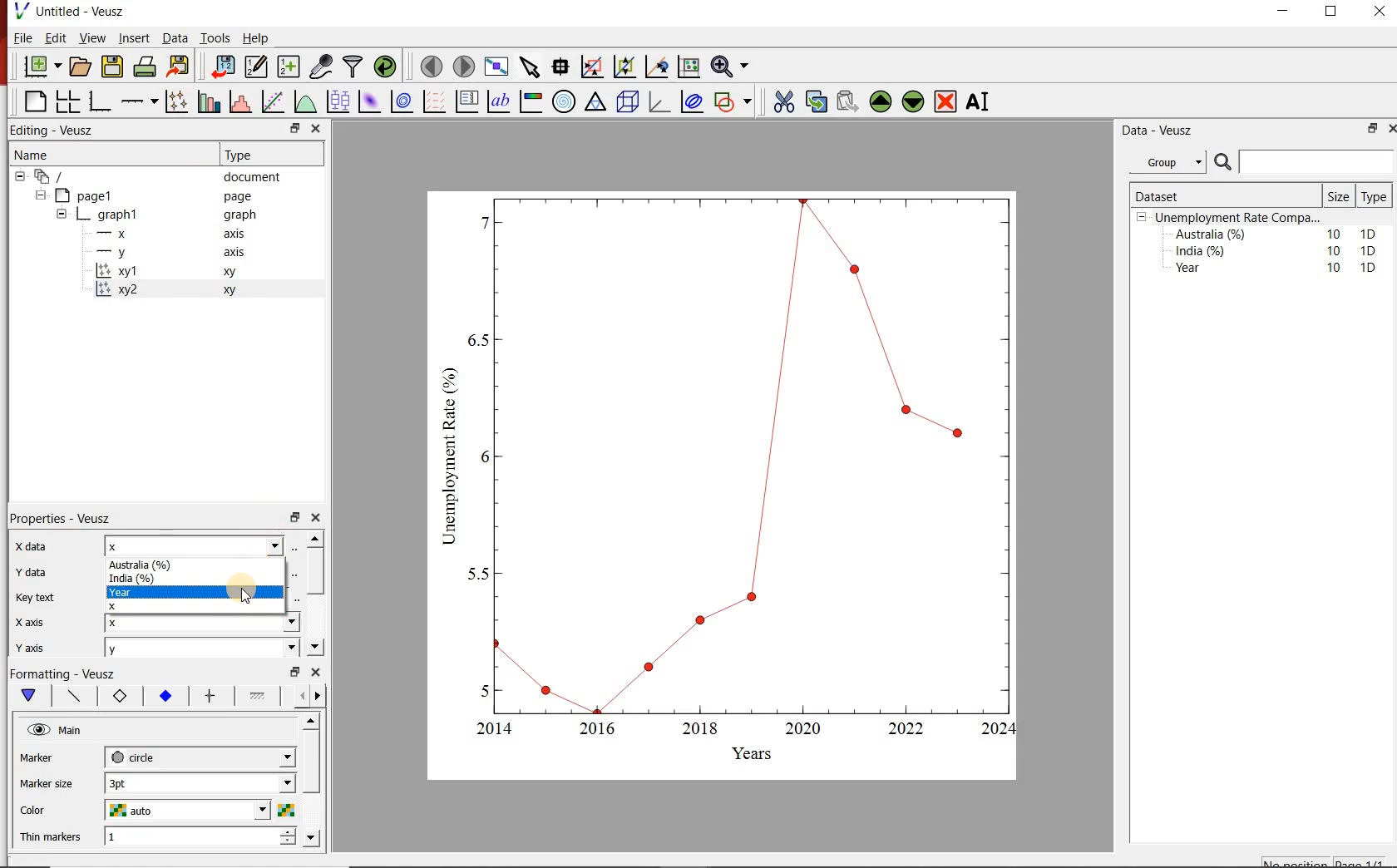  What do you see at coordinates (1378, 15) in the screenshot?
I see `close` at bounding box center [1378, 15].